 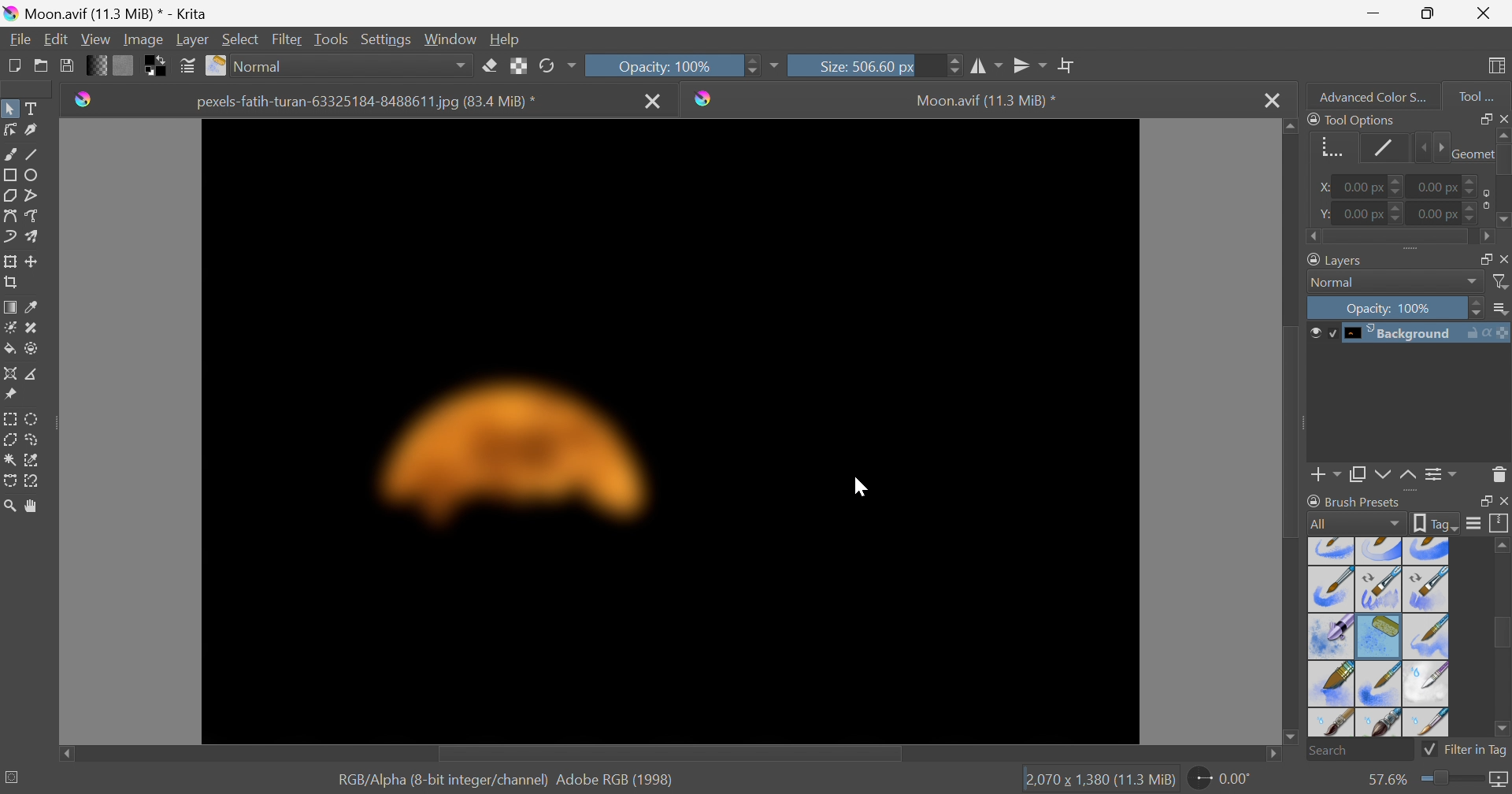 I want to click on Scroll right, so click(x=1486, y=237).